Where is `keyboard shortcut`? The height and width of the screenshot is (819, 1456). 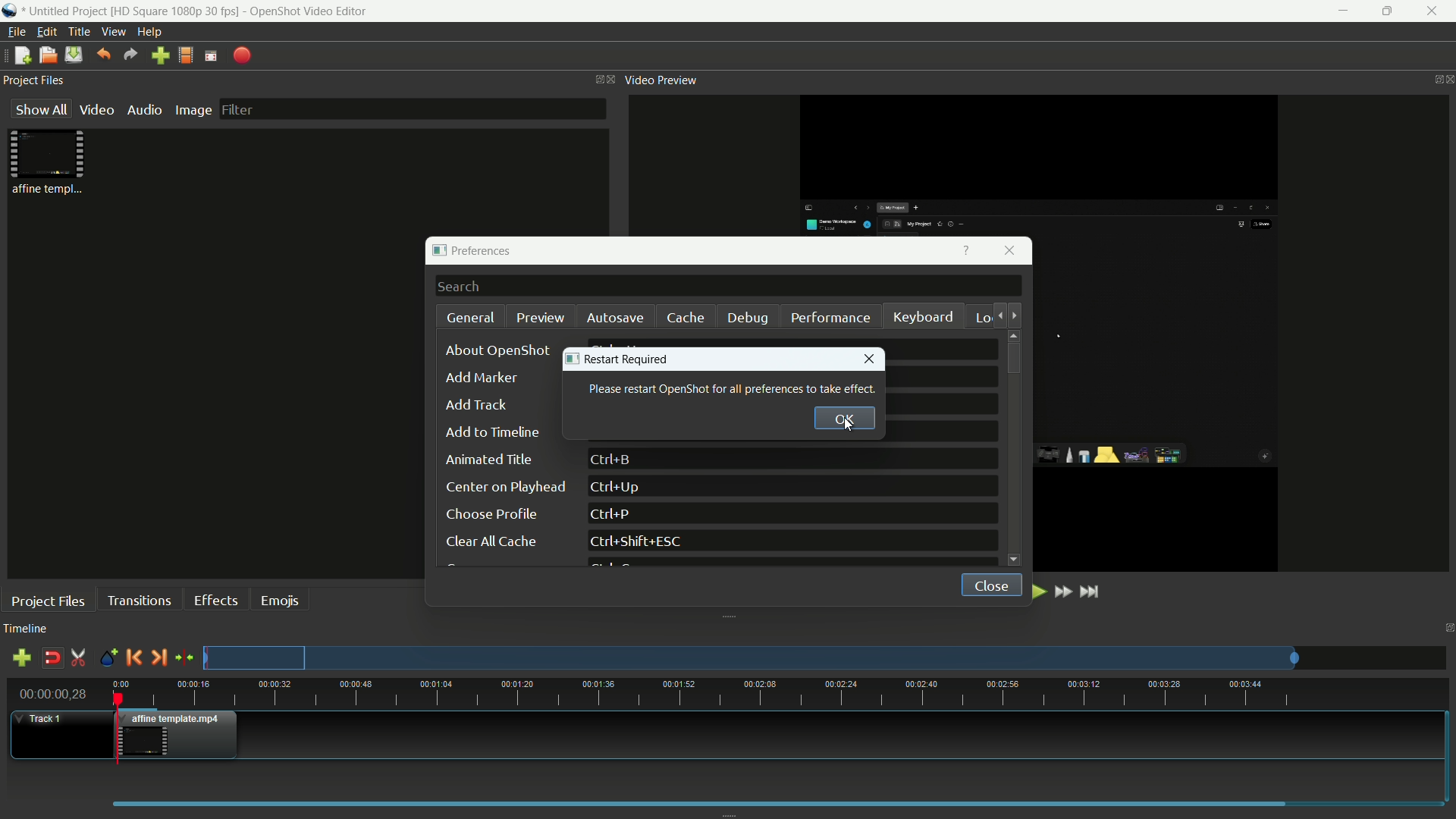 keyboard shortcut is located at coordinates (613, 460).